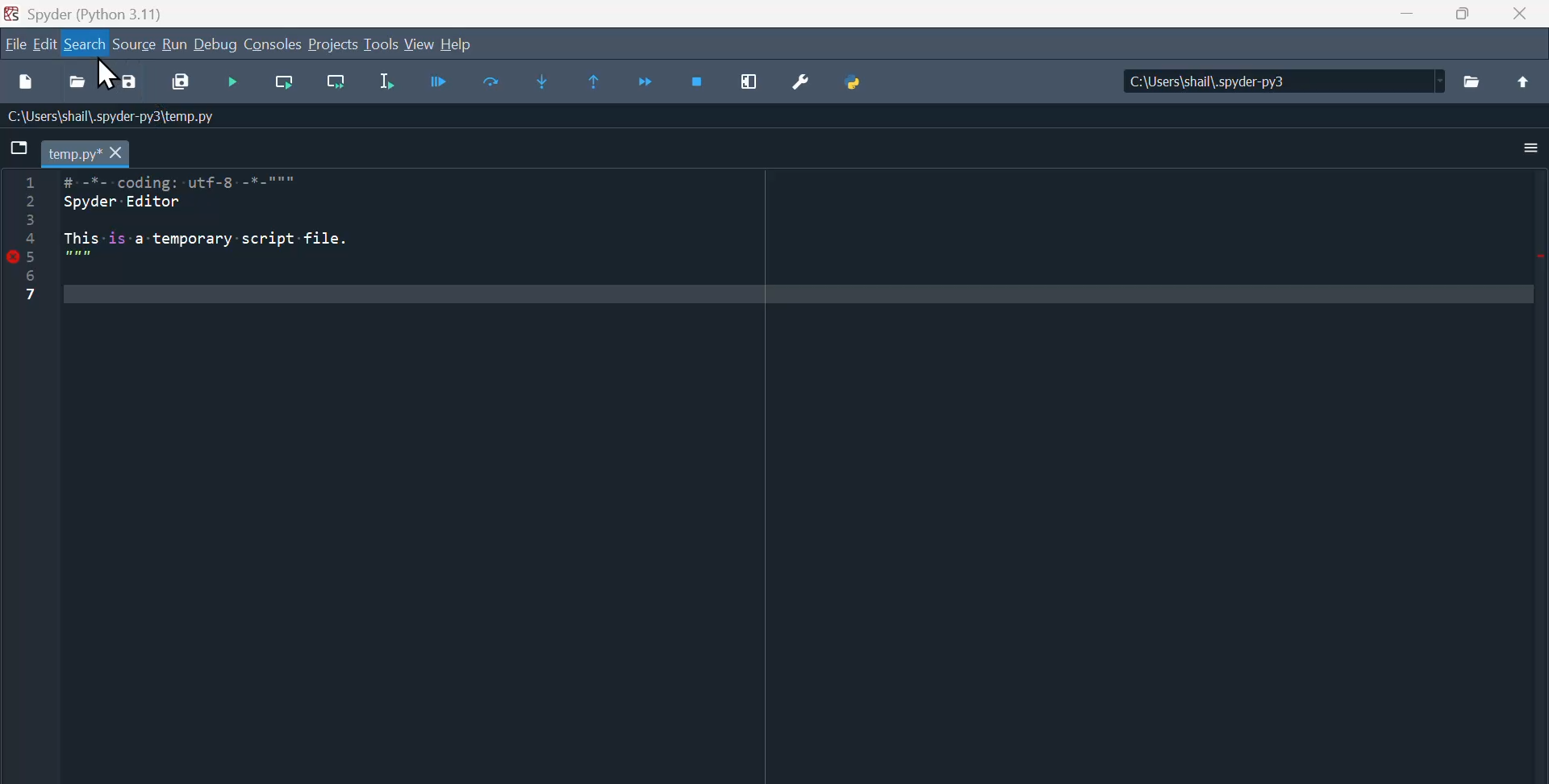 This screenshot has height=784, width=1549. Describe the element at coordinates (31, 473) in the screenshot. I see `line column` at that location.